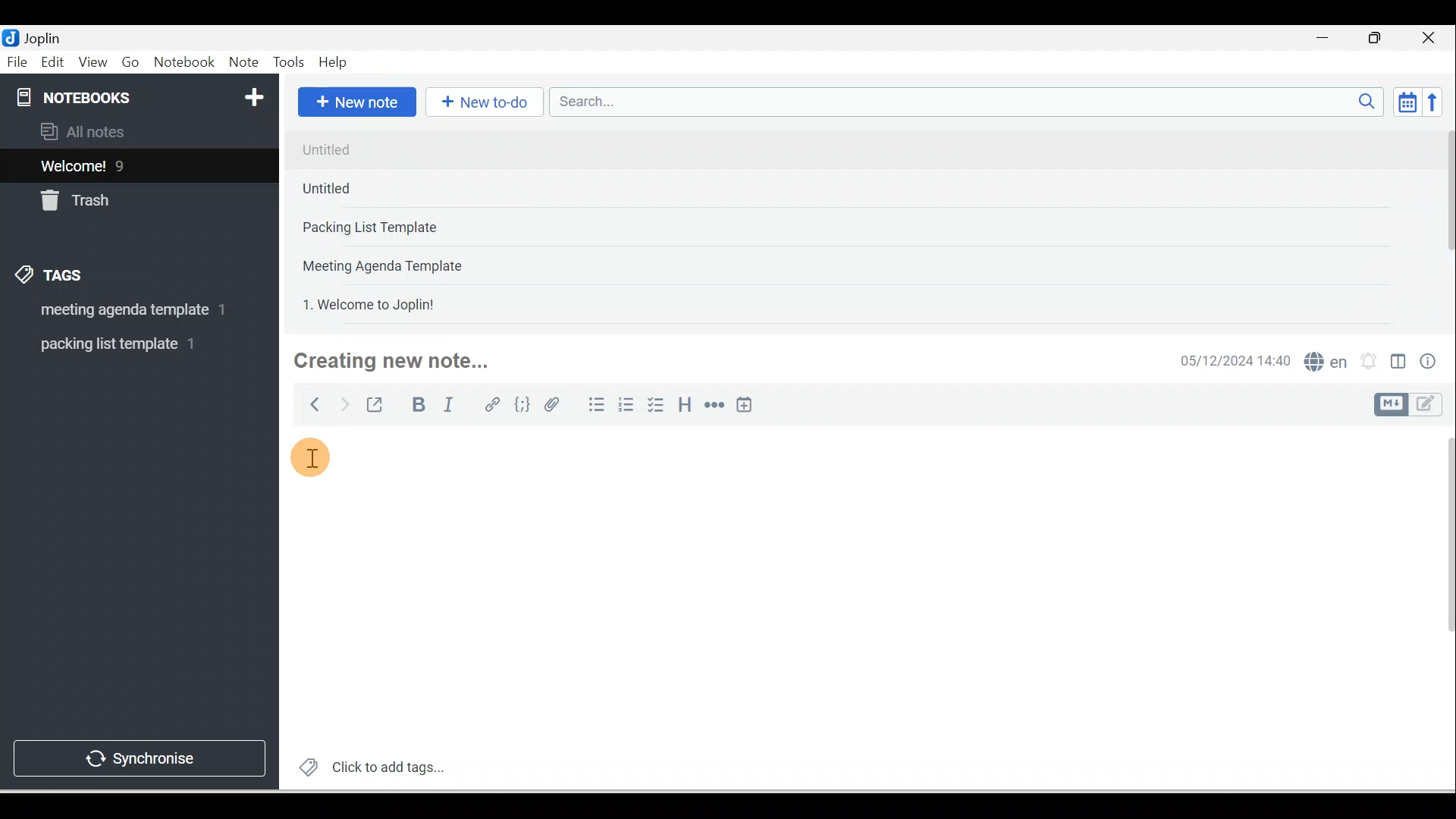  What do you see at coordinates (128, 162) in the screenshot?
I see `Notes` at bounding box center [128, 162].